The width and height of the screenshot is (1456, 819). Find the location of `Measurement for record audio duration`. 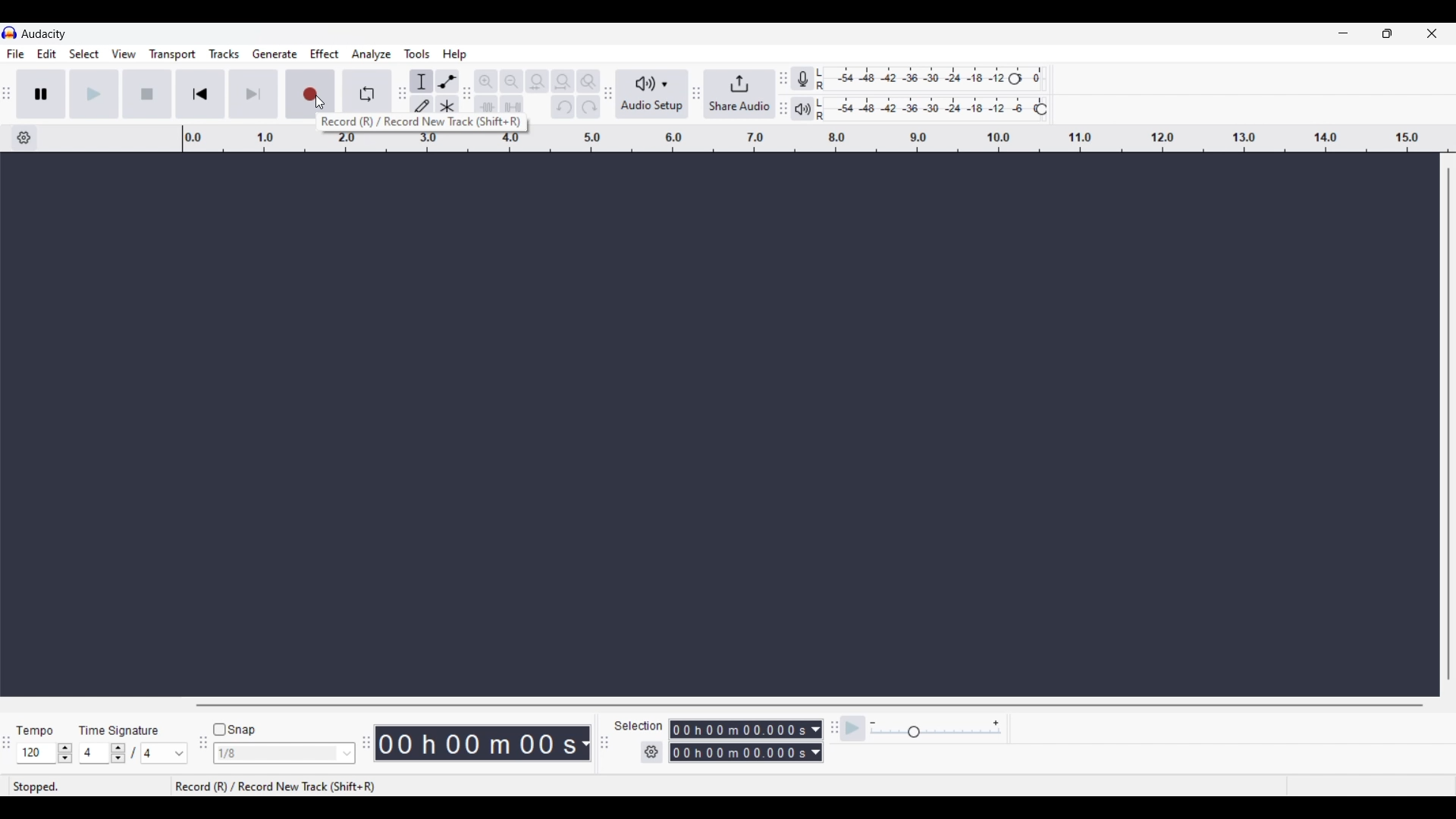

Measurement for record audio duration is located at coordinates (585, 744).